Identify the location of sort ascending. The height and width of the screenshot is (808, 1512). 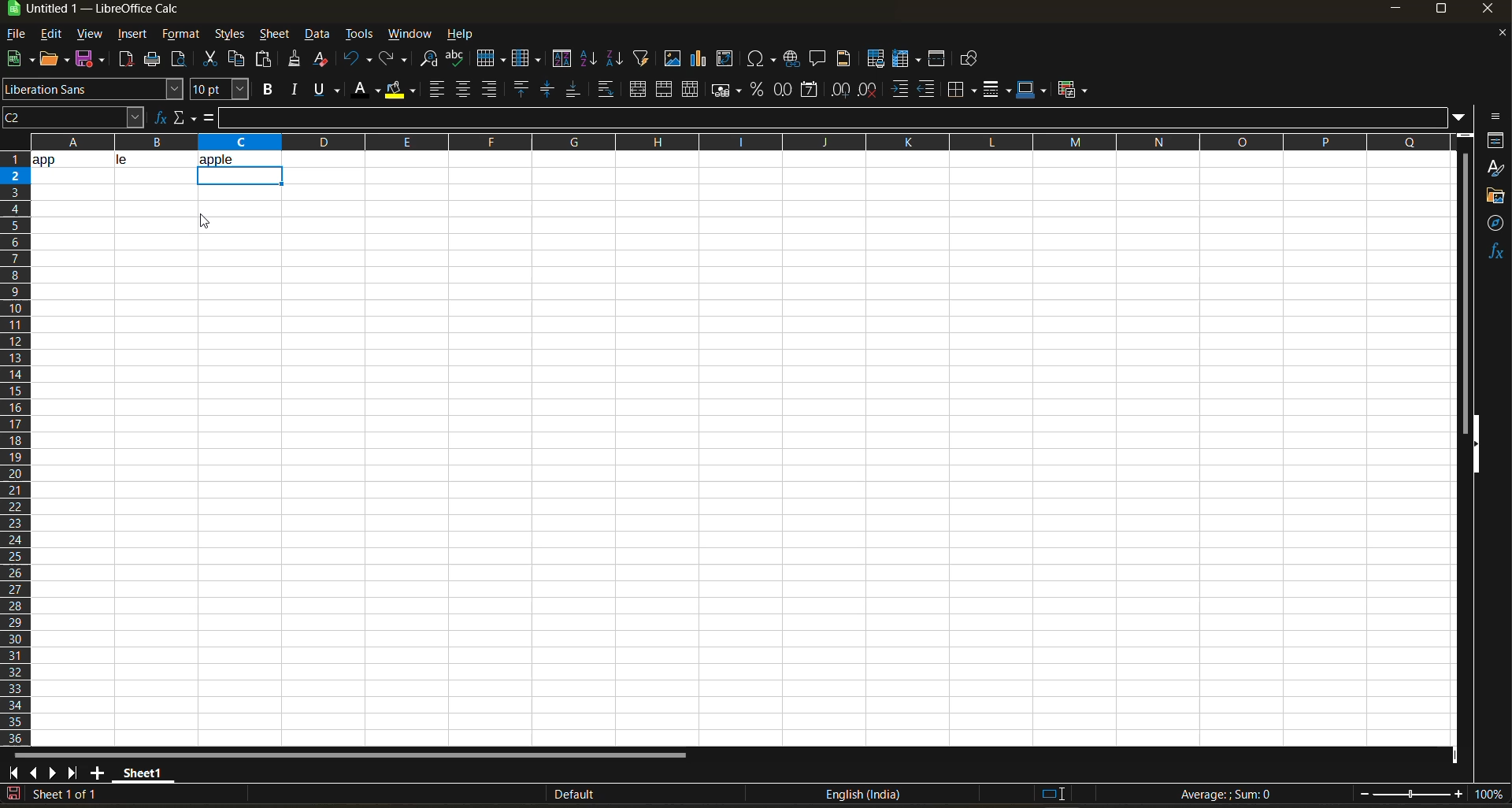
(590, 60).